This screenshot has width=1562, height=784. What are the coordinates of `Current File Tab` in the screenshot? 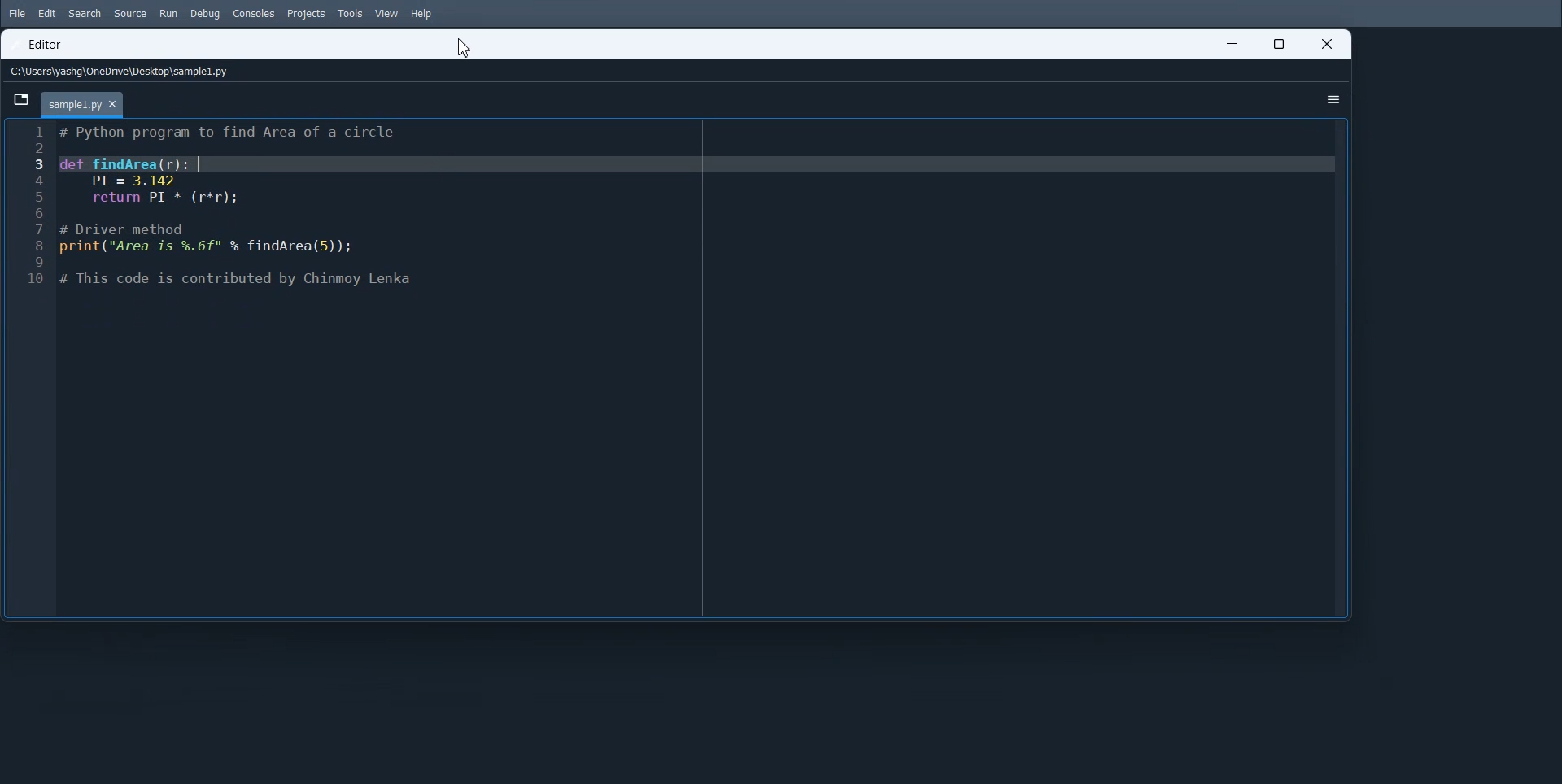 It's located at (85, 103).